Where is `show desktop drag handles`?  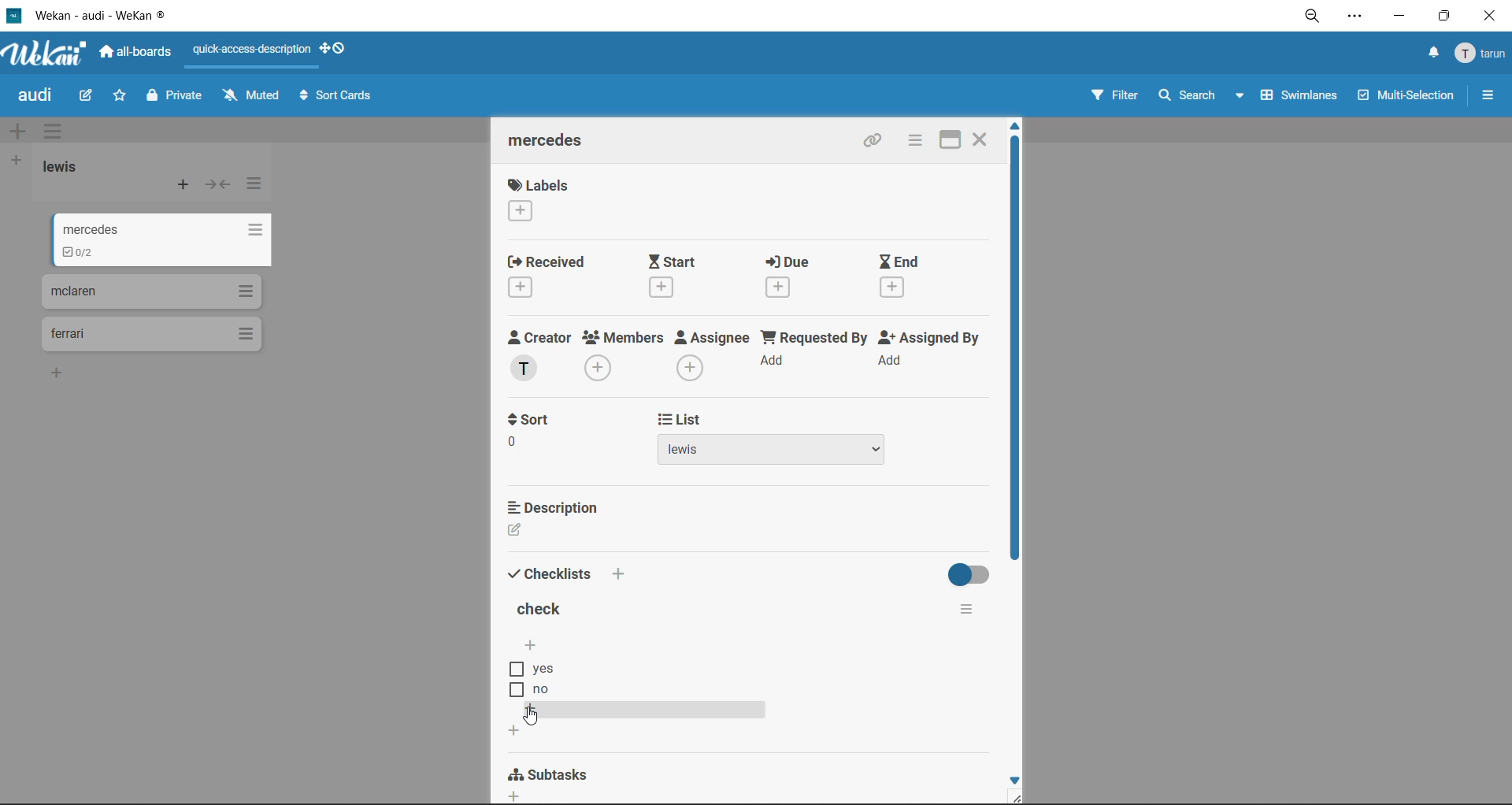
show desktop drag handles is located at coordinates (338, 50).